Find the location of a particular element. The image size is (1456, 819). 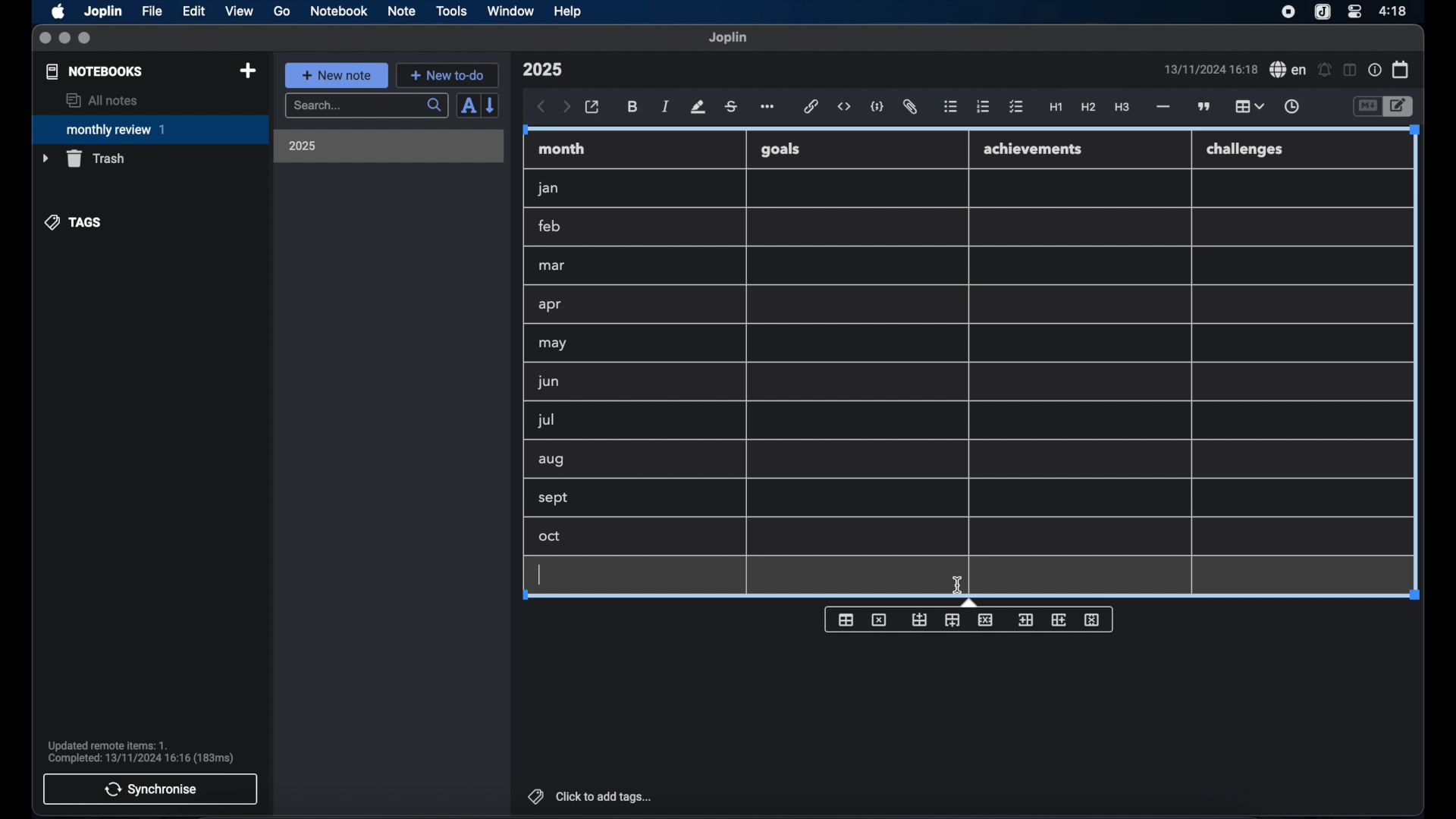

heading 3 is located at coordinates (1122, 108).